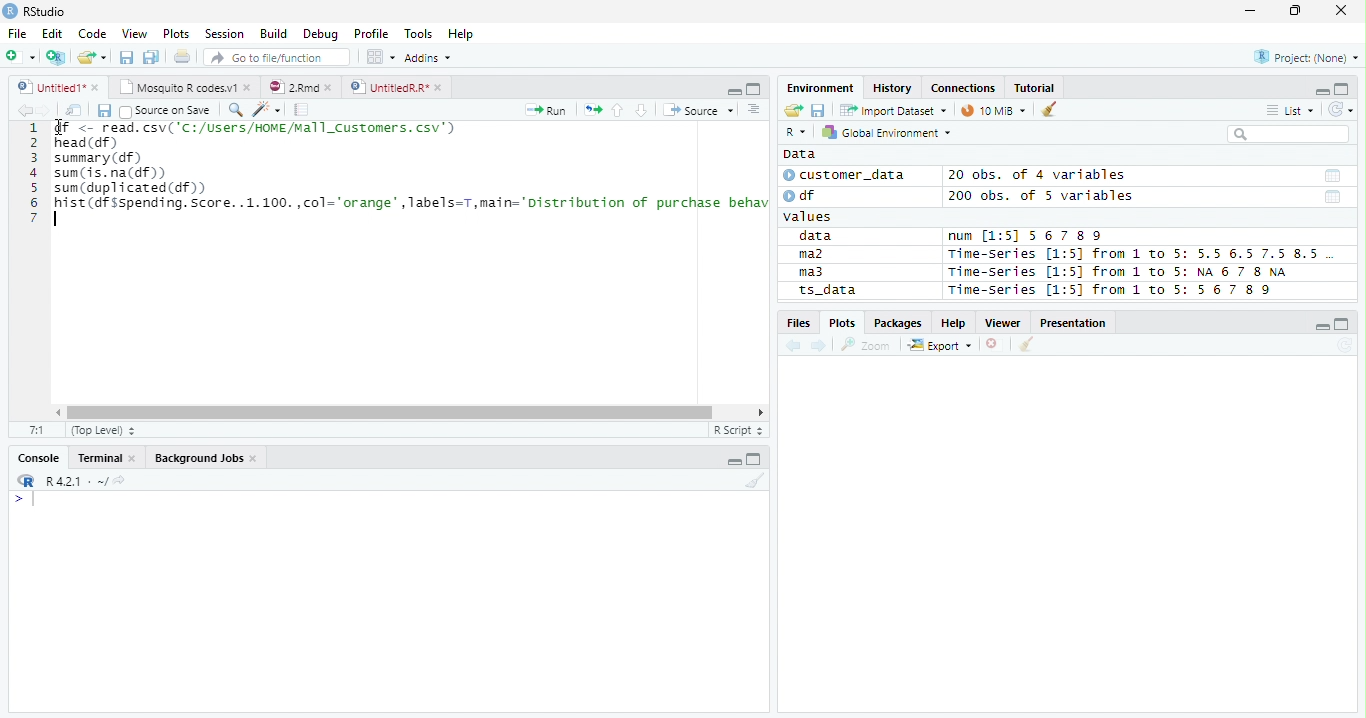 This screenshot has width=1366, height=718. Describe the element at coordinates (276, 35) in the screenshot. I see `Build` at that location.